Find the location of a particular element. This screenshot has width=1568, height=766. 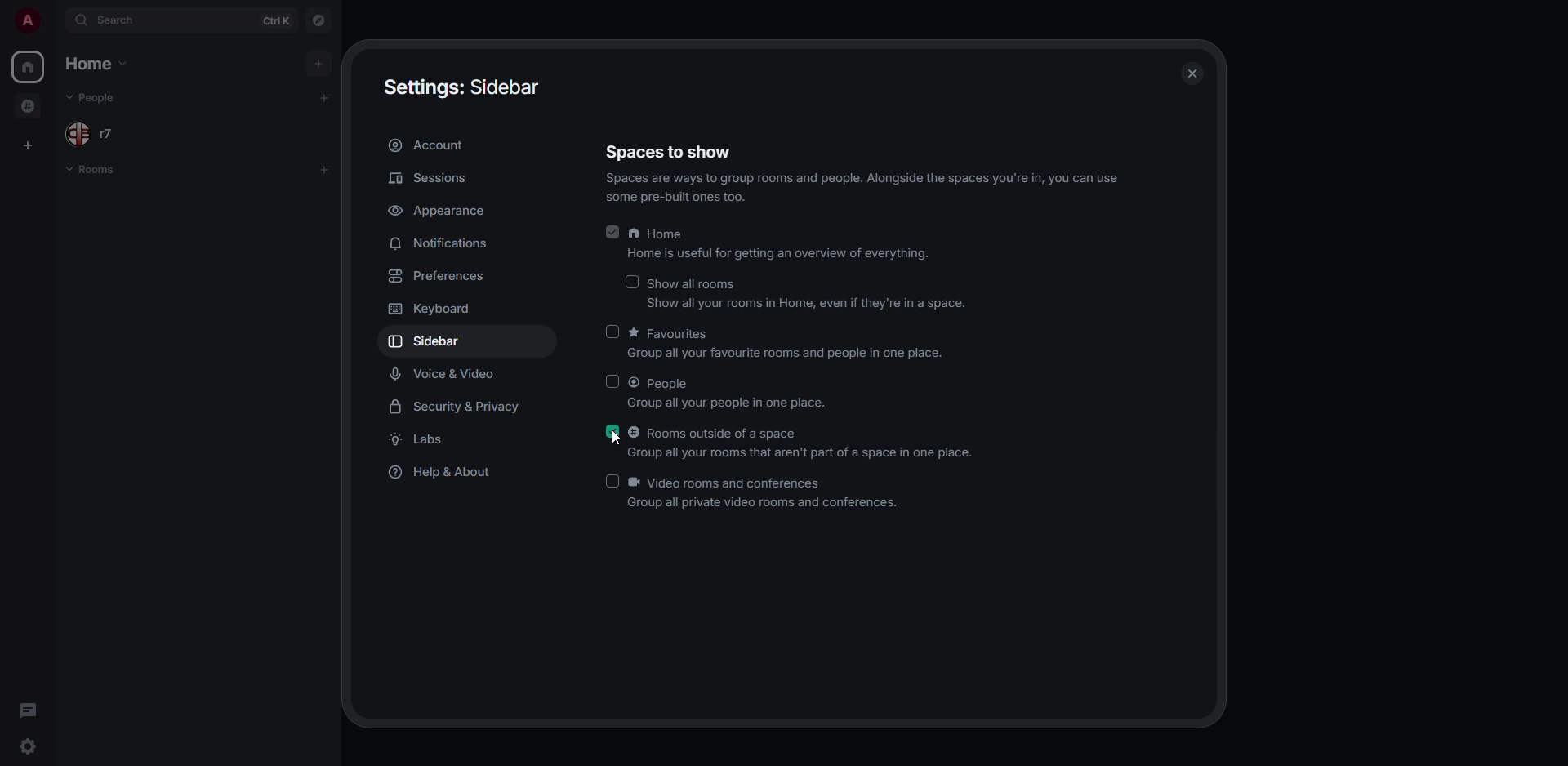

keyboard is located at coordinates (436, 309).